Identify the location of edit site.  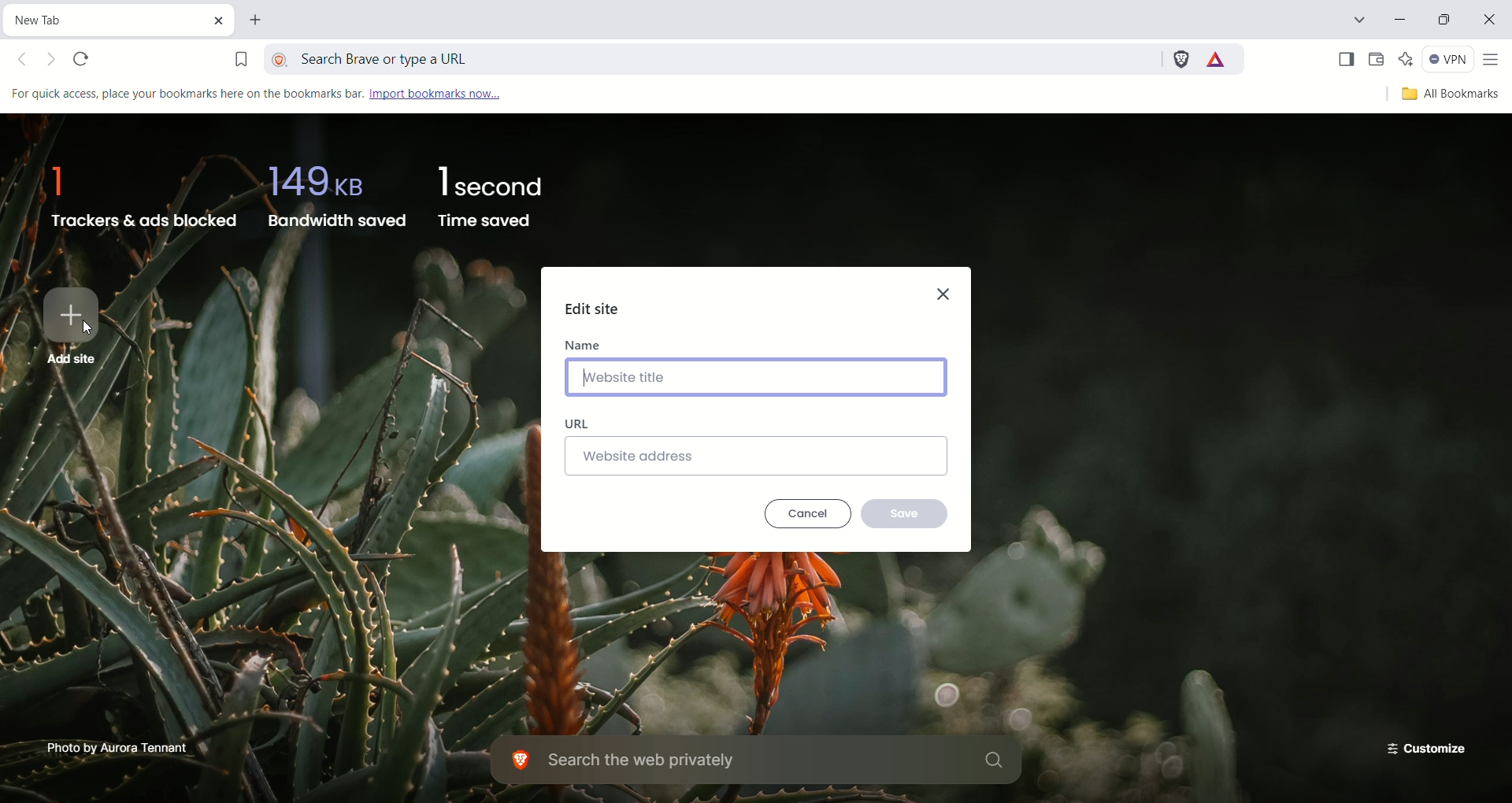
(594, 309).